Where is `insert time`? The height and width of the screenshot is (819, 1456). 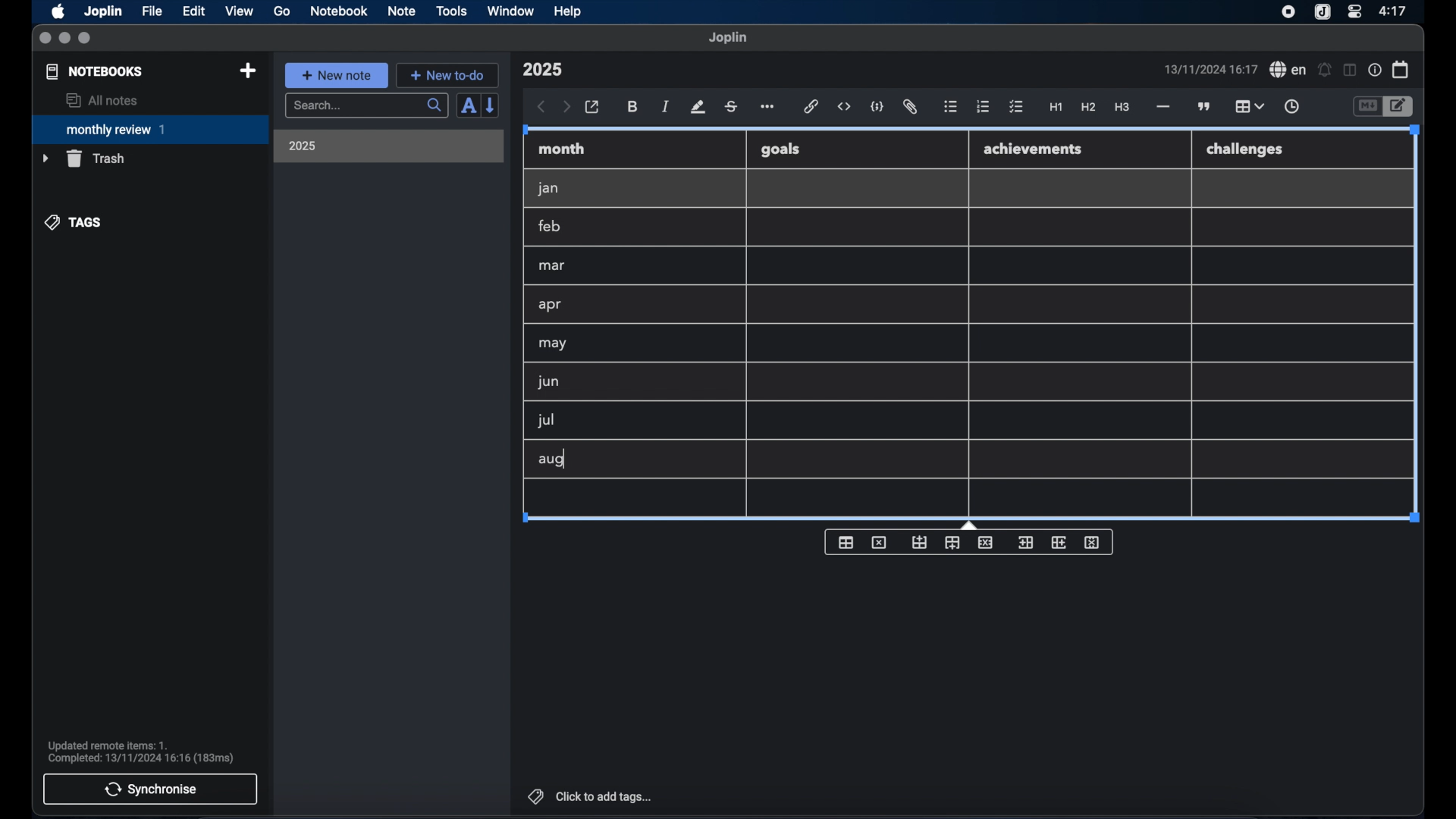 insert time is located at coordinates (1291, 107).